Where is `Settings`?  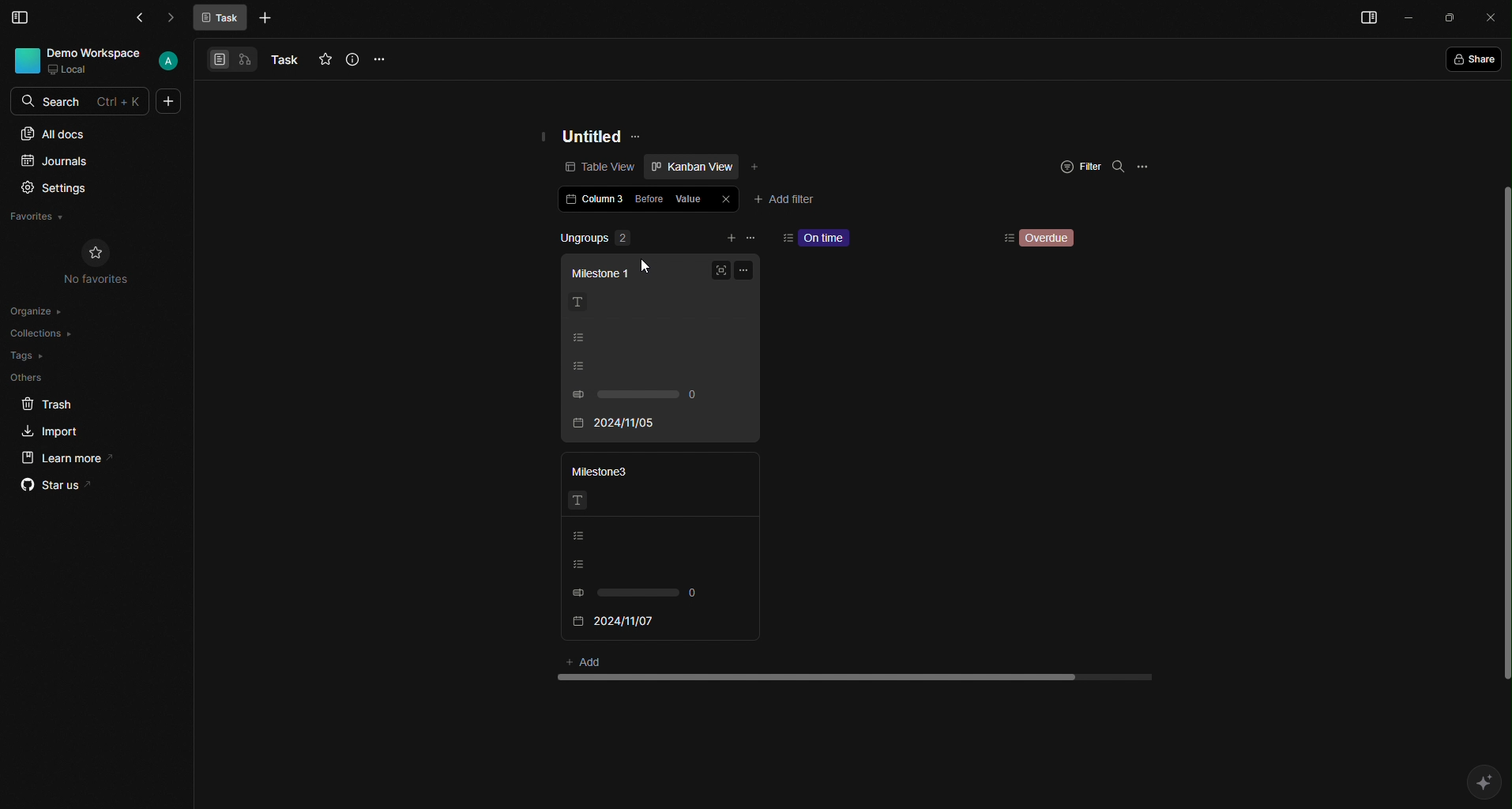 Settings is located at coordinates (54, 188).